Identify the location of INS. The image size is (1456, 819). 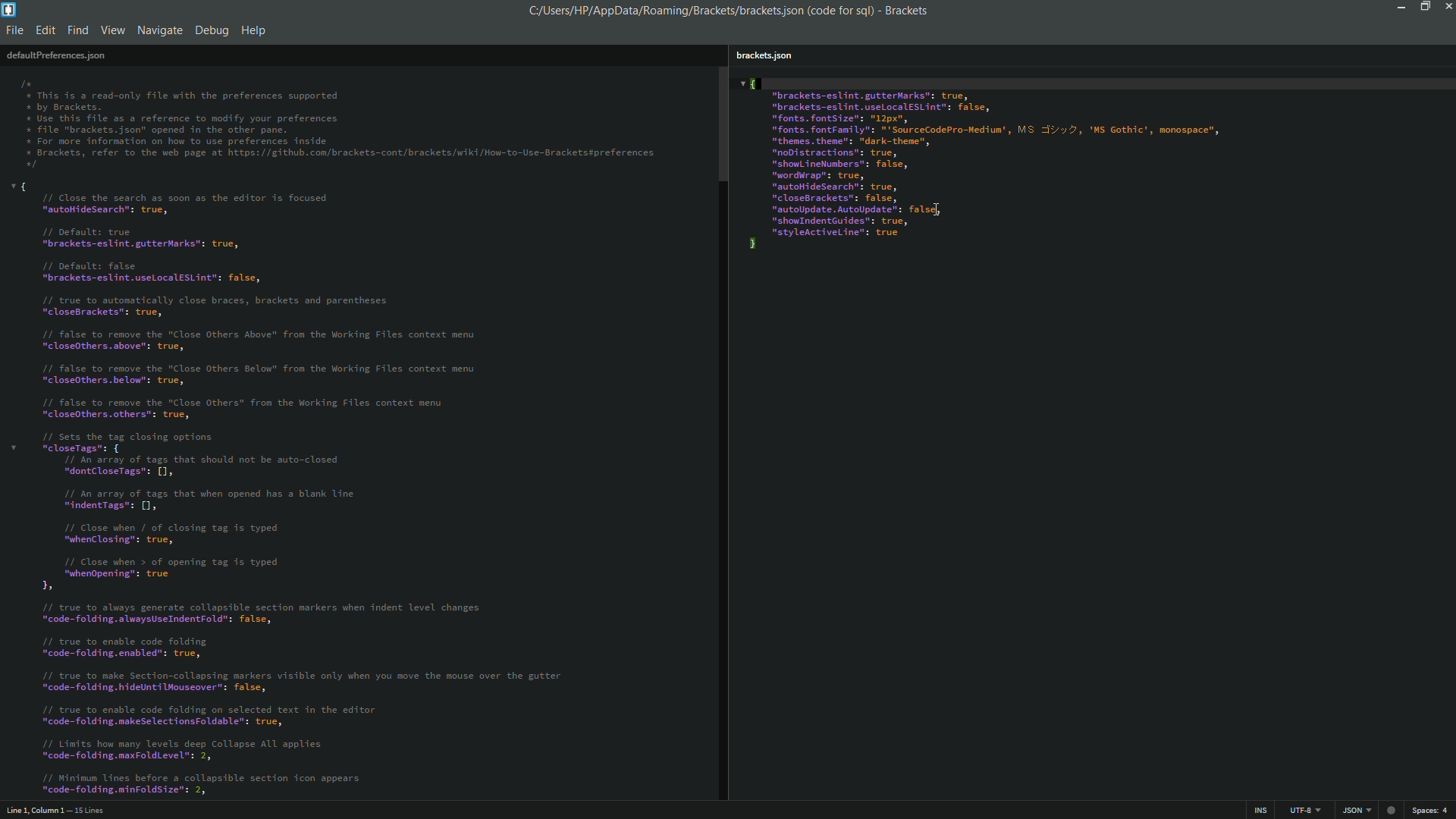
(1260, 809).